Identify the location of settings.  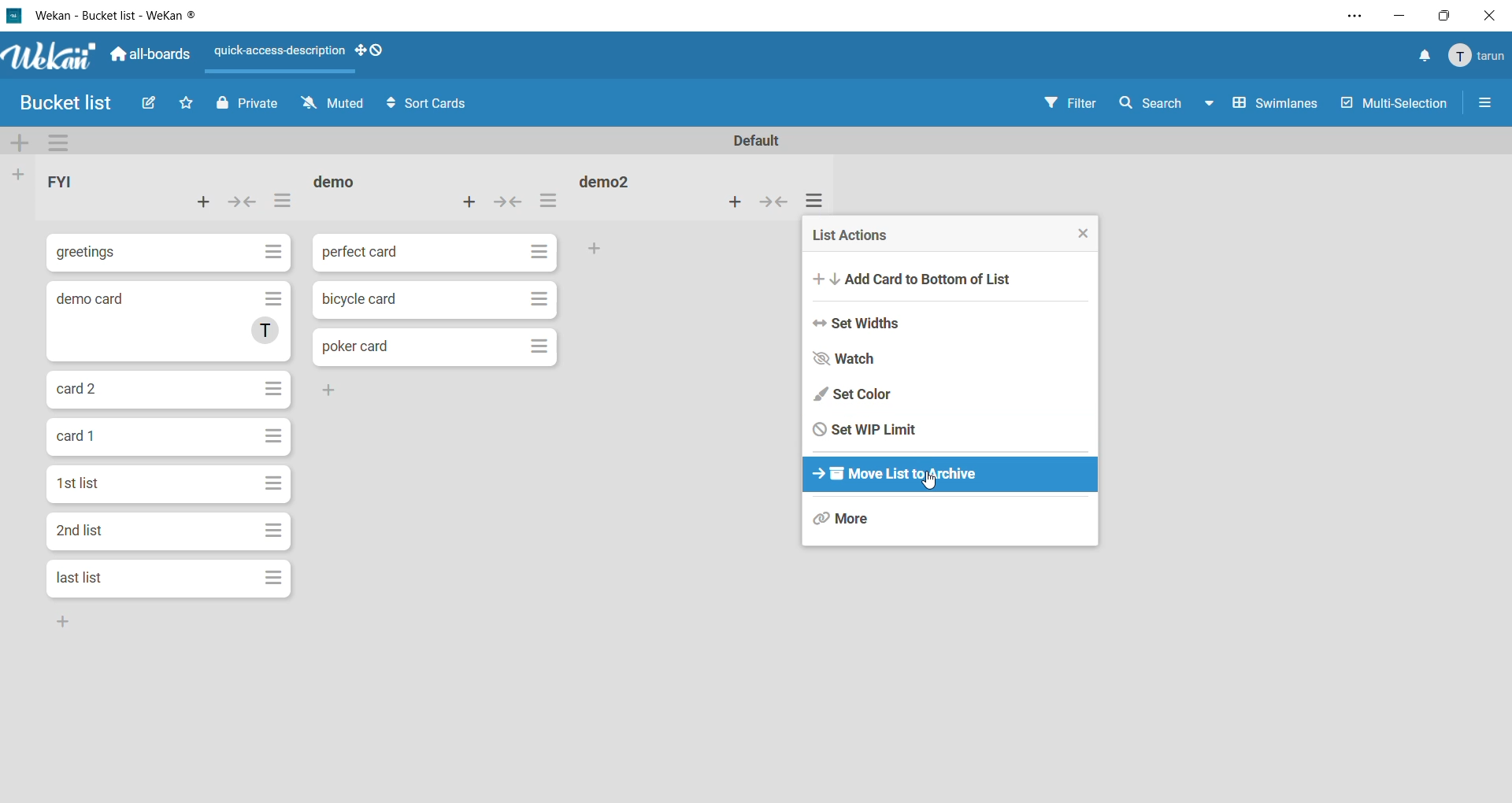
(1349, 16).